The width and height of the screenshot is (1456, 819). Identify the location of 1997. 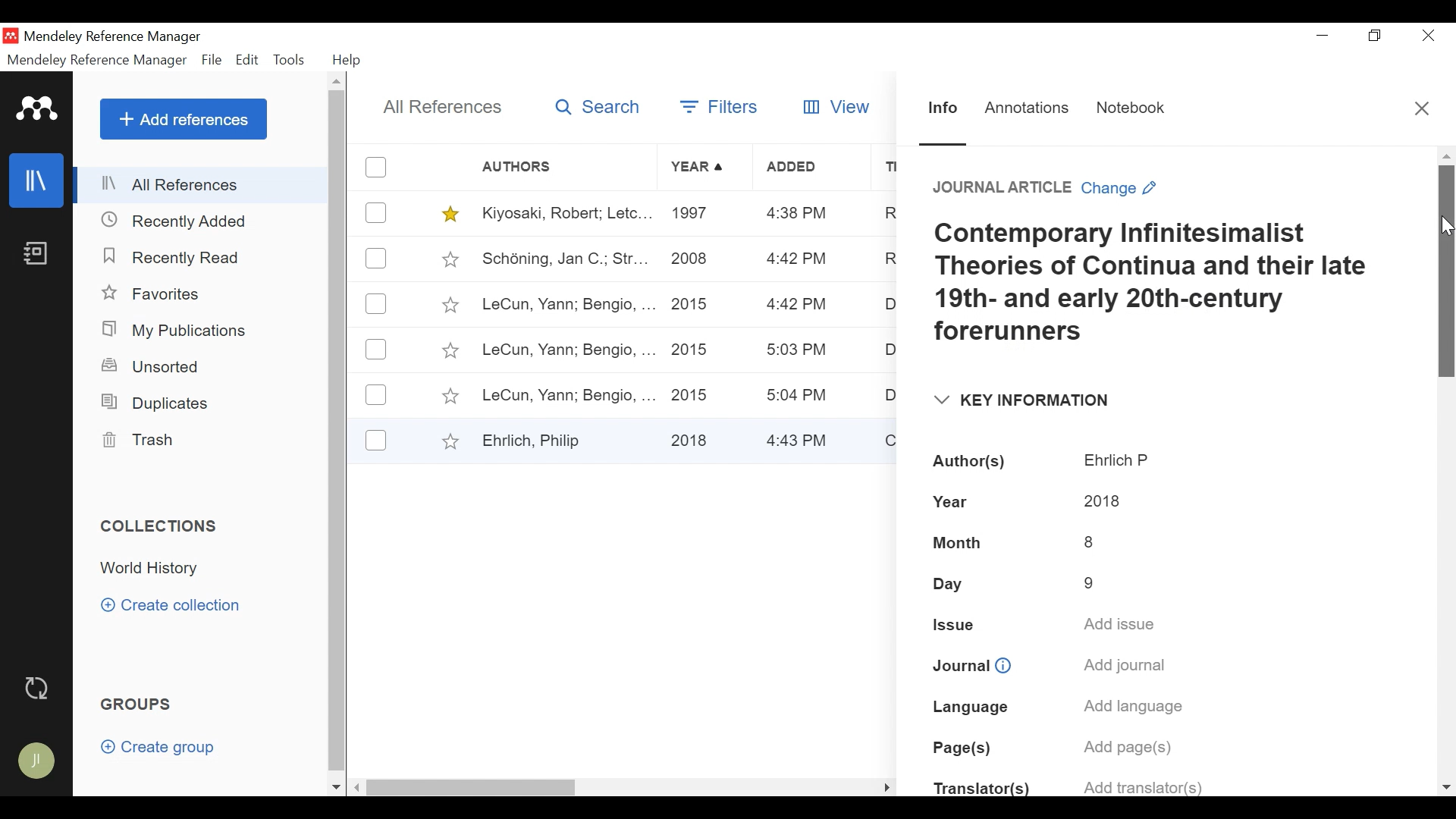
(693, 215).